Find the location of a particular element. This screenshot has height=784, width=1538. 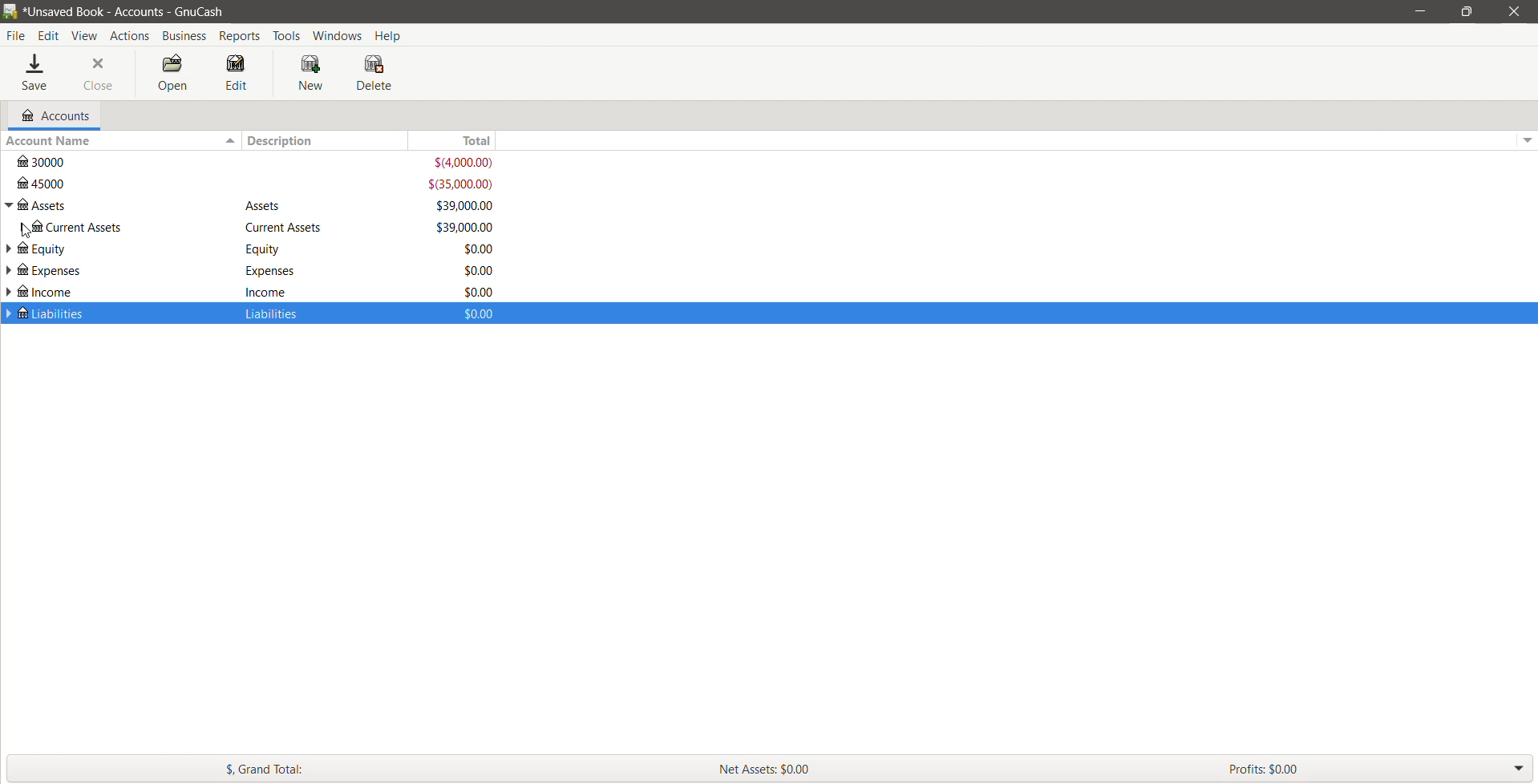

Expenses is located at coordinates (278, 250).